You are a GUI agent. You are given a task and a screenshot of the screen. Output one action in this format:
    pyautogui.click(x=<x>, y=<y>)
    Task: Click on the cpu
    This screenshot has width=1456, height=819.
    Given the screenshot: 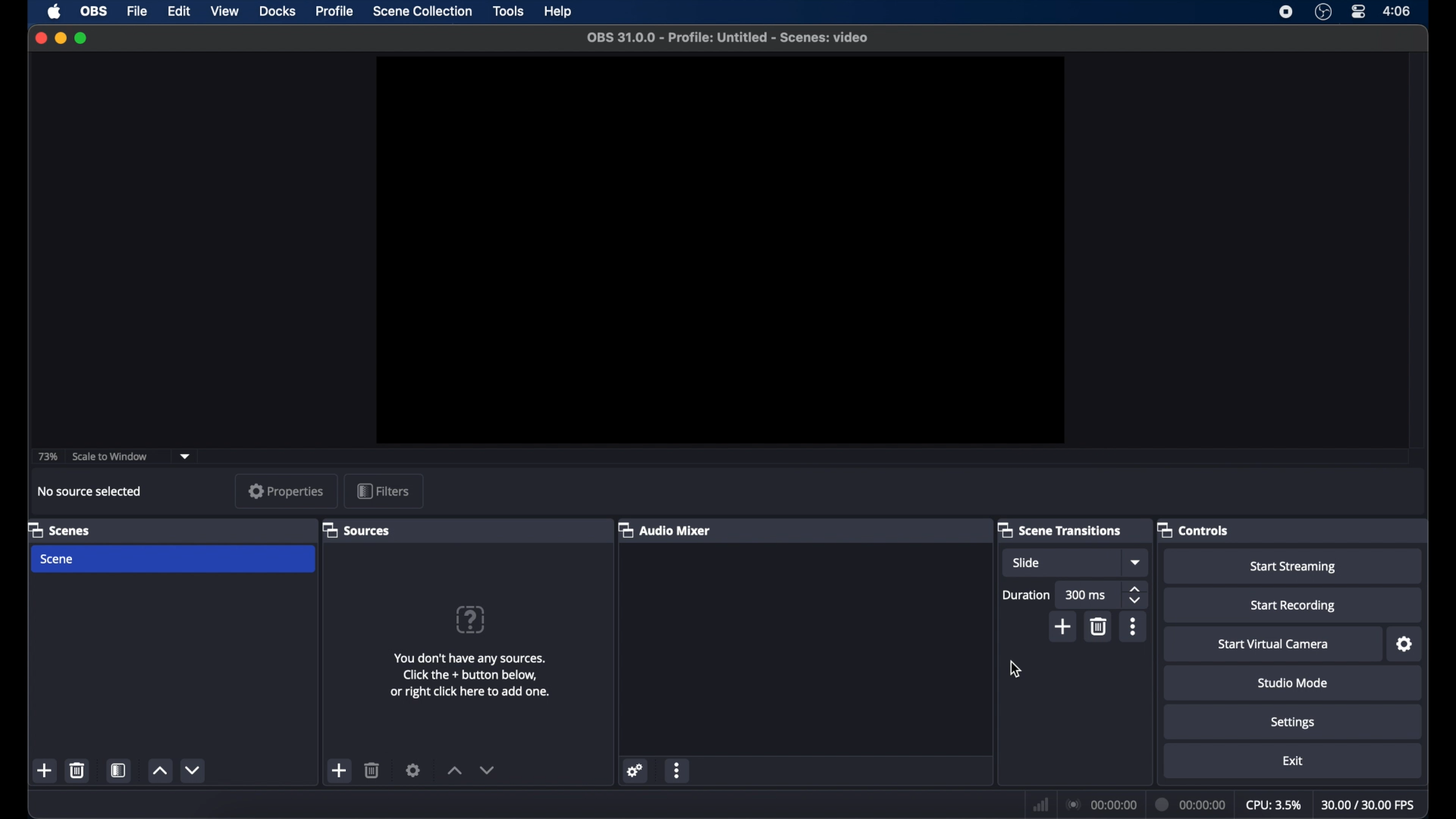 What is the action you would take?
    pyautogui.click(x=1274, y=804)
    